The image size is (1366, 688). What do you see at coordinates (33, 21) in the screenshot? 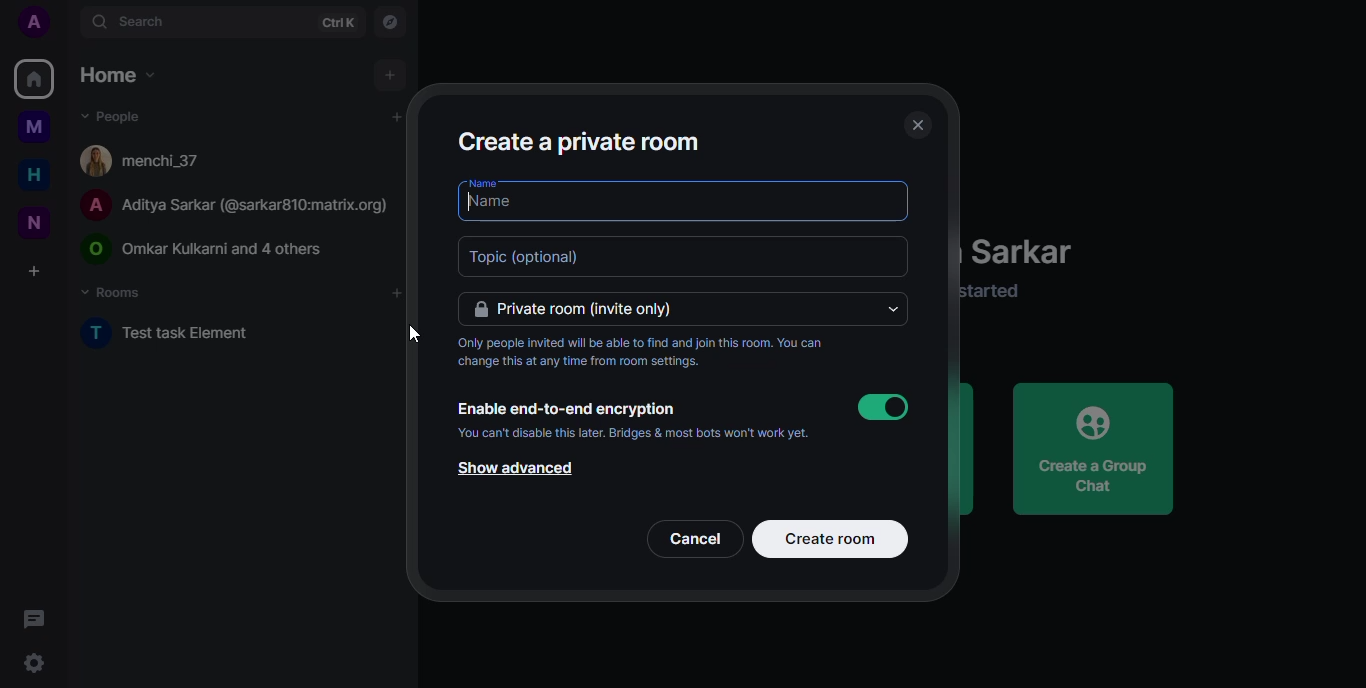
I see `profile` at bounding box center [33, 21].